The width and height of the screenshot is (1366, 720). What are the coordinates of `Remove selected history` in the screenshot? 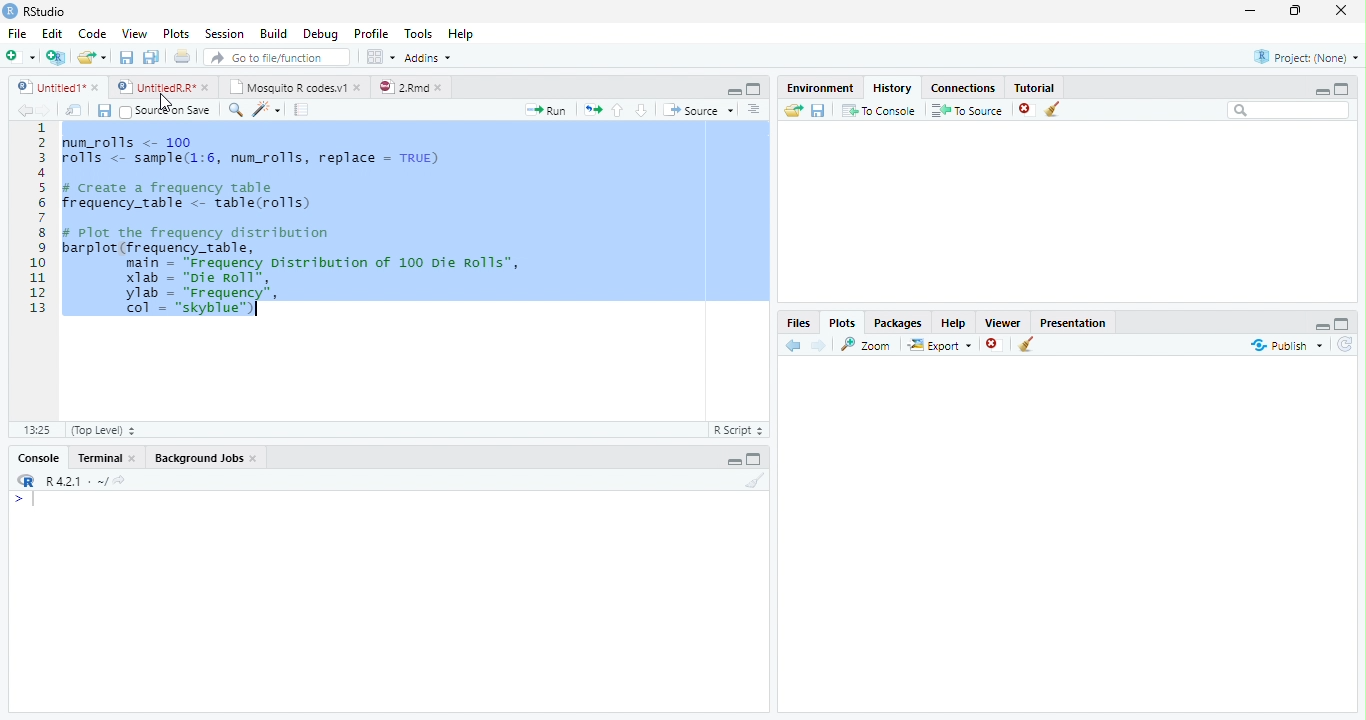 It's located at (1025, 109).